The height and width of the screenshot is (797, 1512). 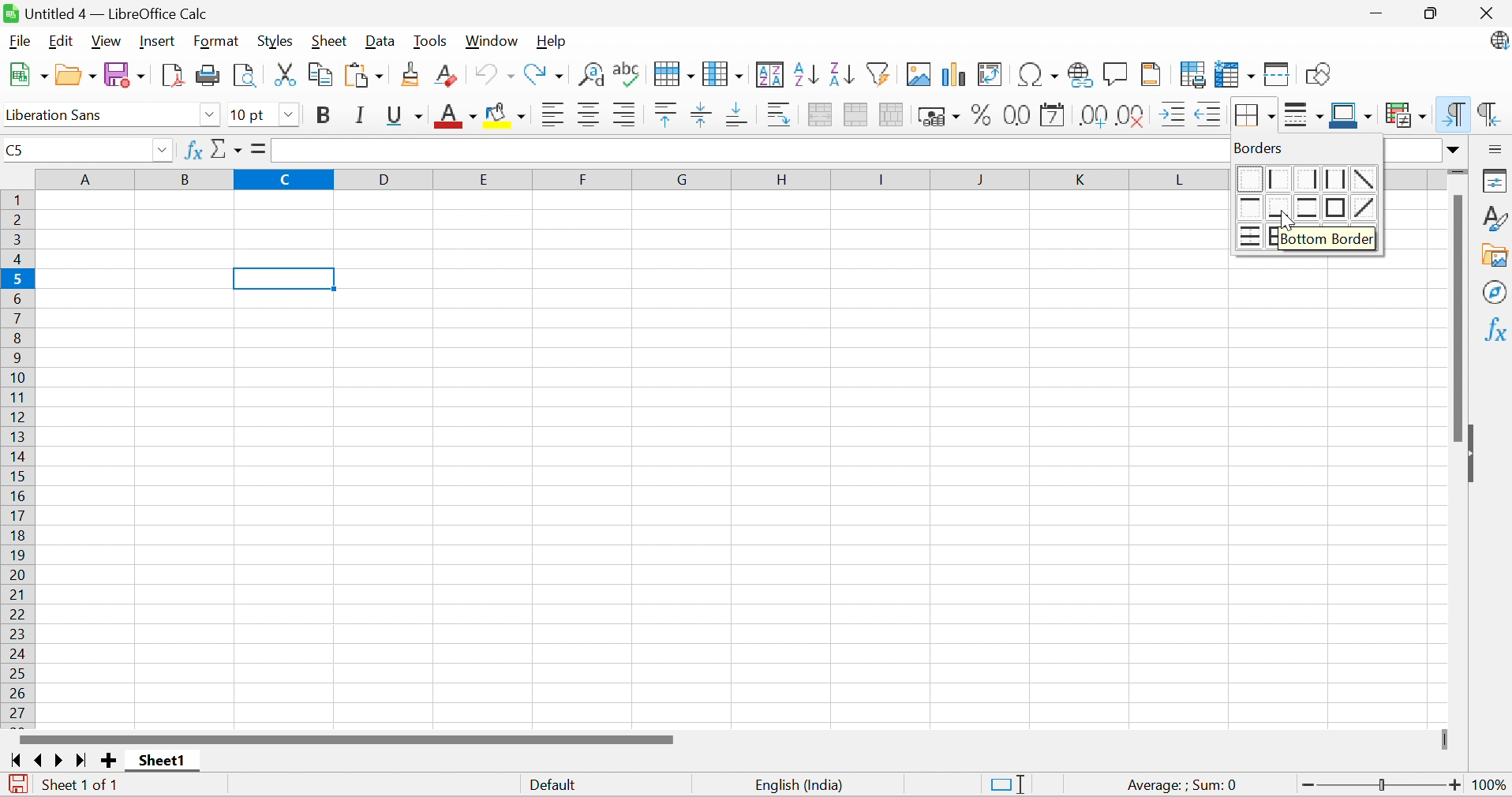 I want to click on Styles, so click(x=1496, y=217).